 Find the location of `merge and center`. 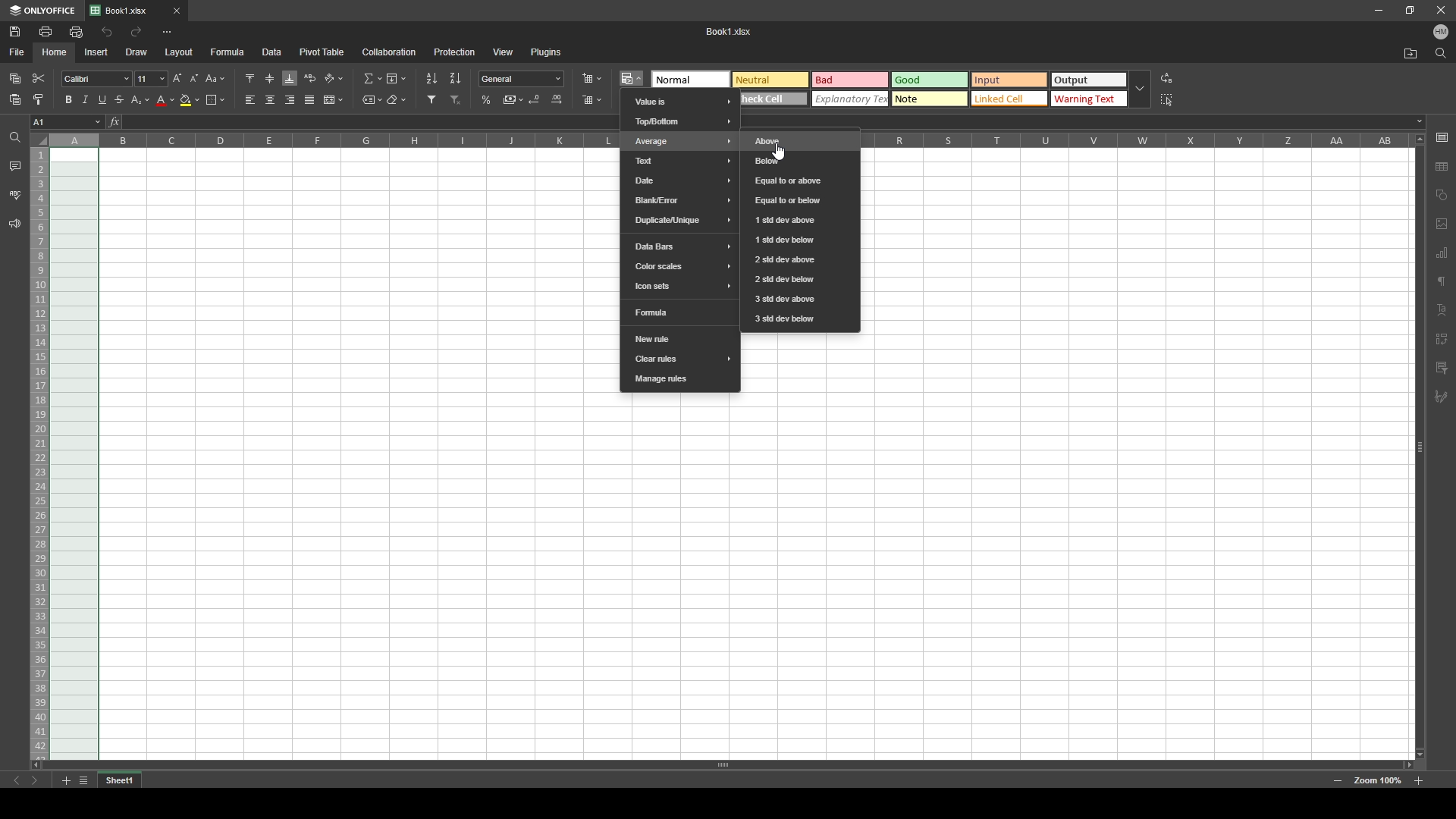

merge and center is located at coordinates (333, 99).